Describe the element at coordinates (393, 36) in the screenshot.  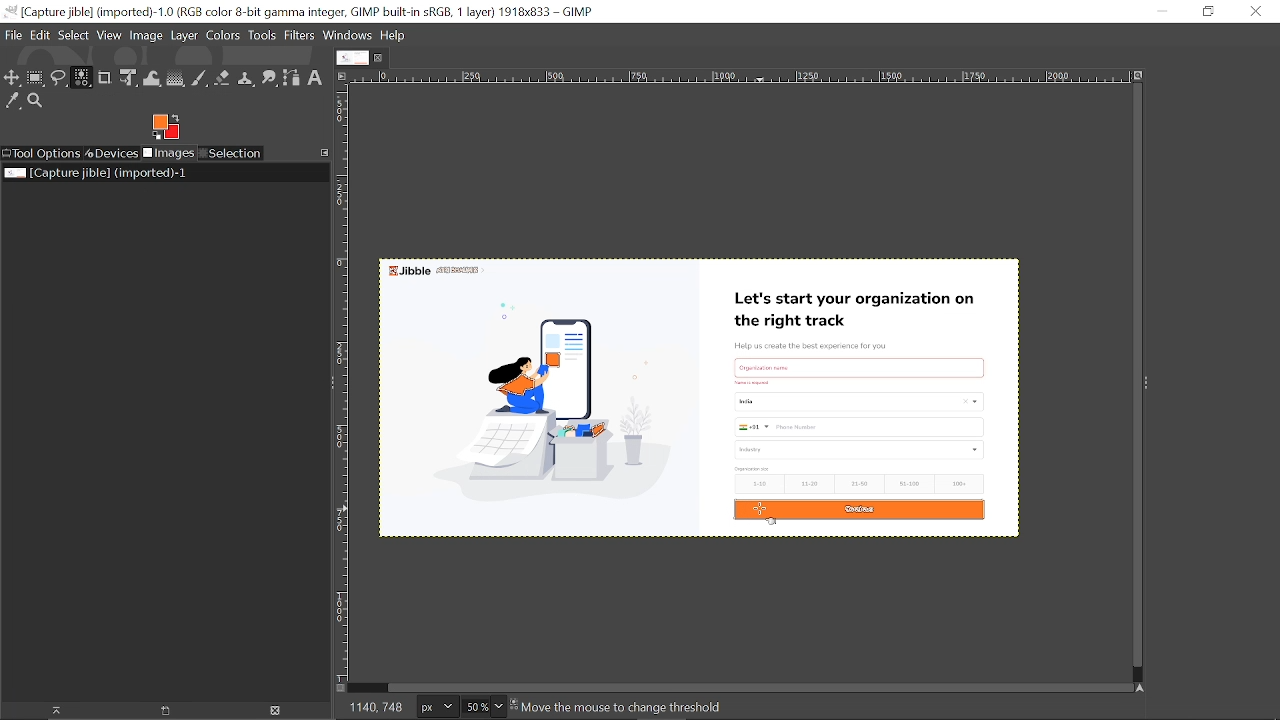
I see `` at that location.